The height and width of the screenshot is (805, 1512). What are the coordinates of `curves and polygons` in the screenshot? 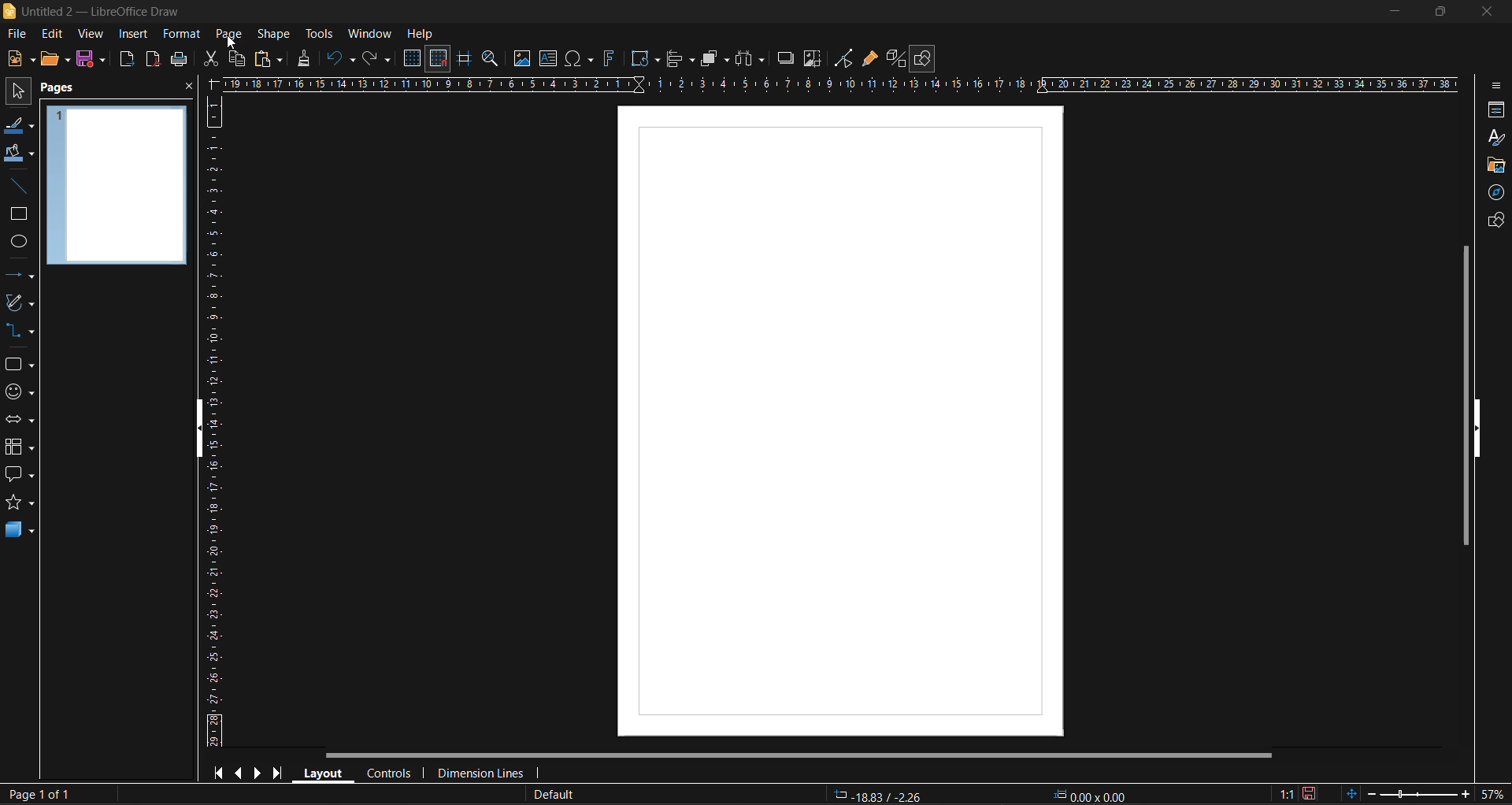 It's located at (20, 303).